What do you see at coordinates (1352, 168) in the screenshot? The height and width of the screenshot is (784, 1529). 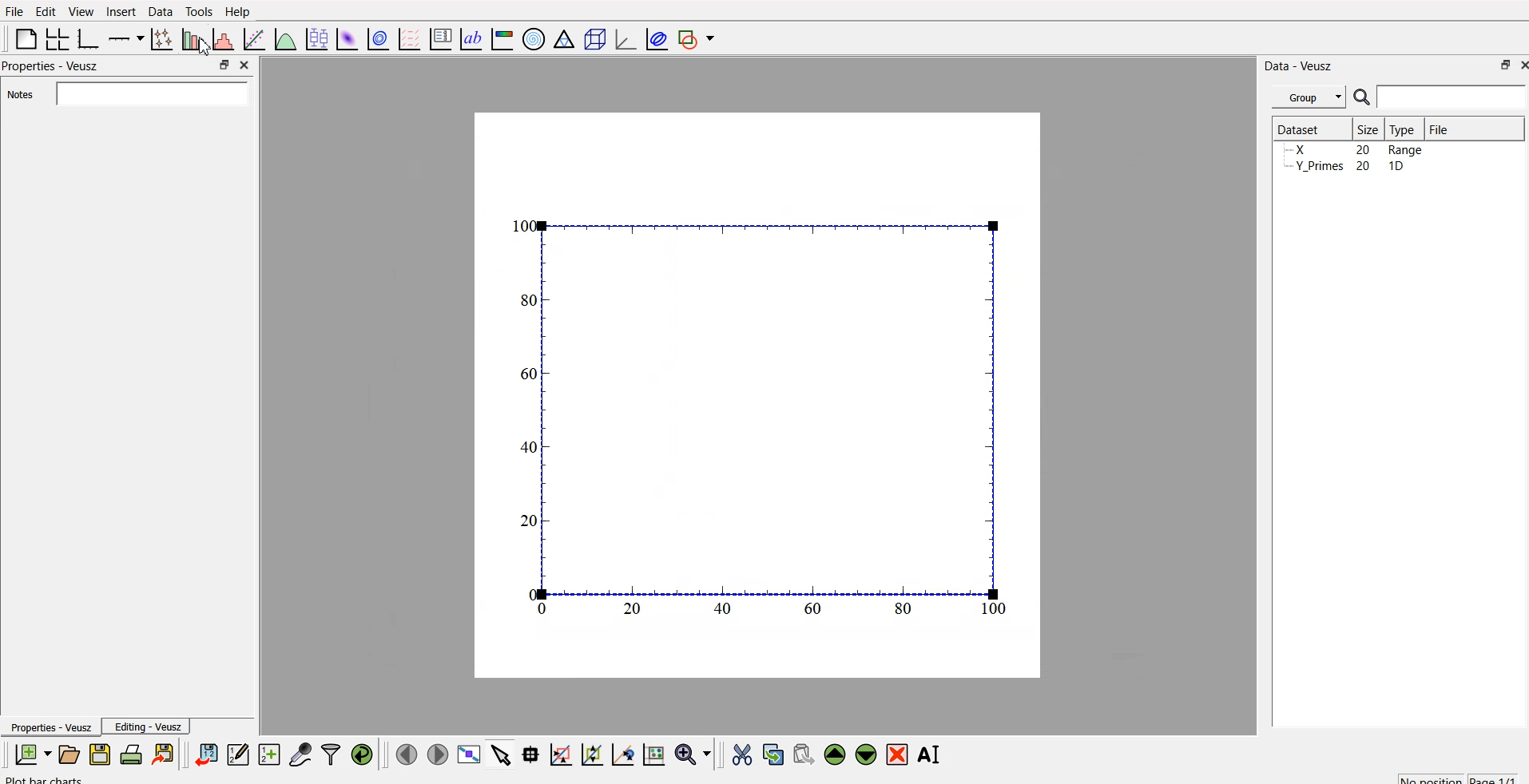 I see `y planes... 20 10` at bounding box center [1352, 168].